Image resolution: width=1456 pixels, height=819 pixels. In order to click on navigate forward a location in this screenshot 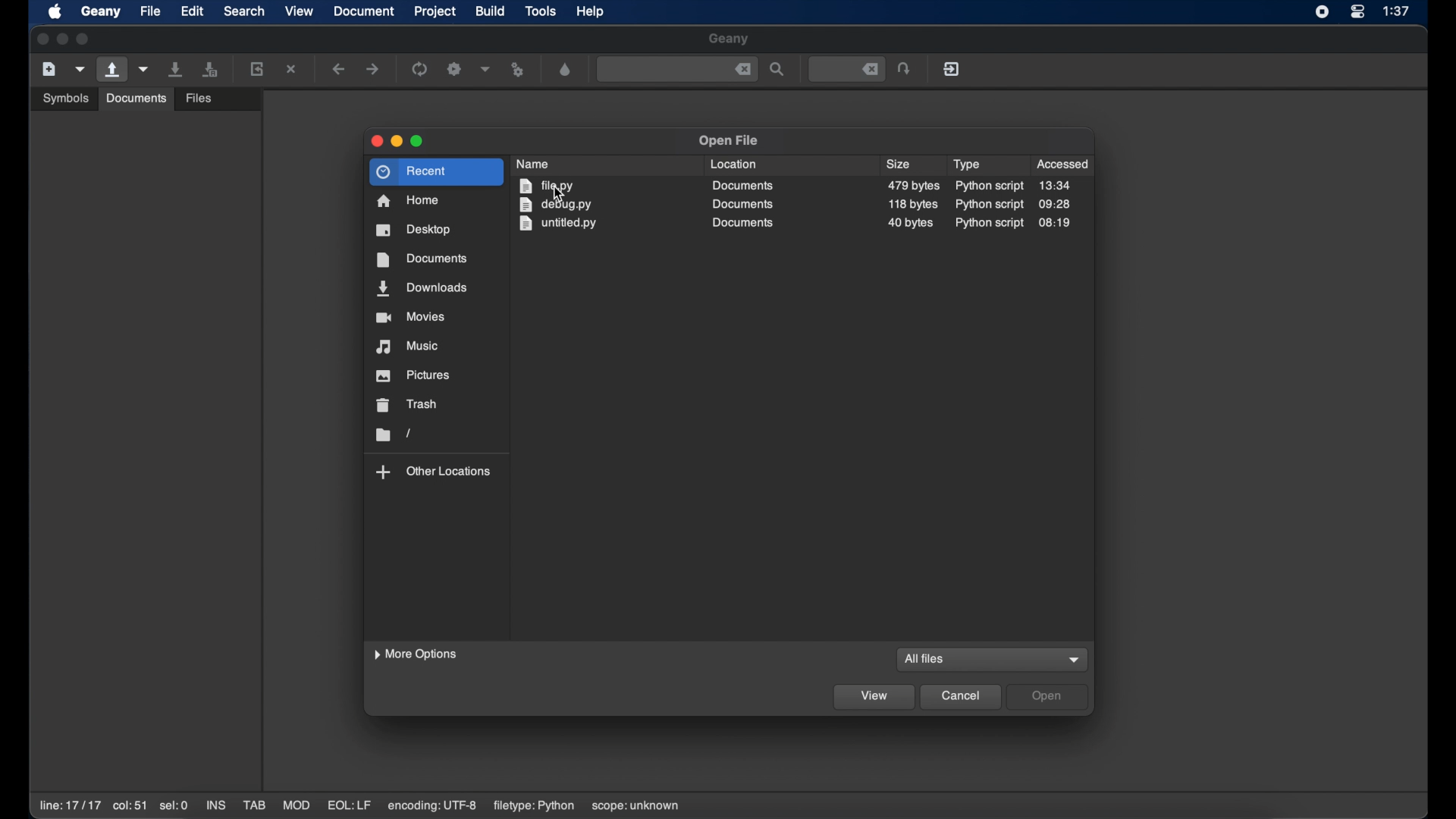, I will do `click(373, 69)`.